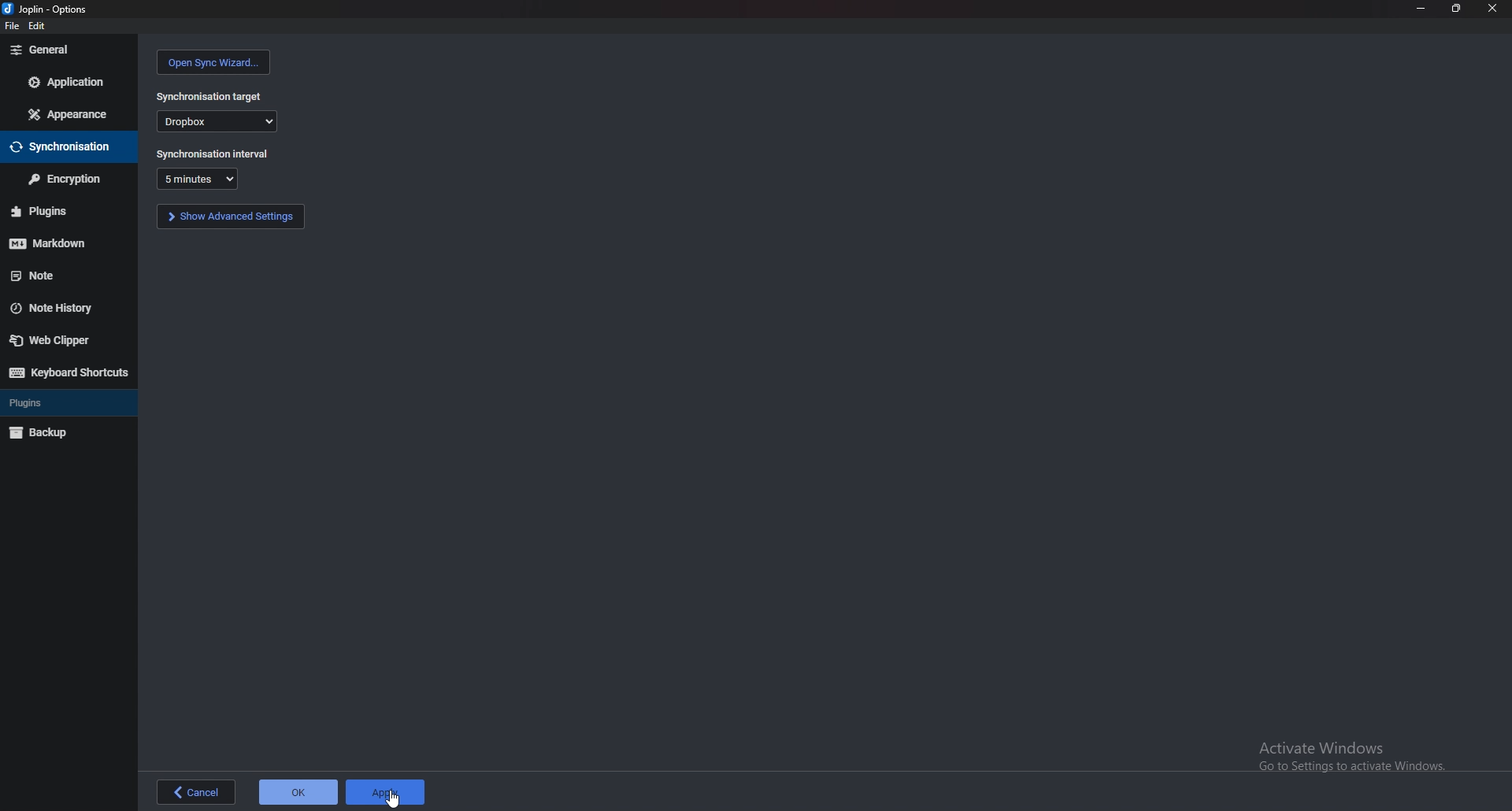 This screenshot has width=1512, height=811. Describe the element at coordinates (49, 432) in the screenshot. I see `backup` at that location.